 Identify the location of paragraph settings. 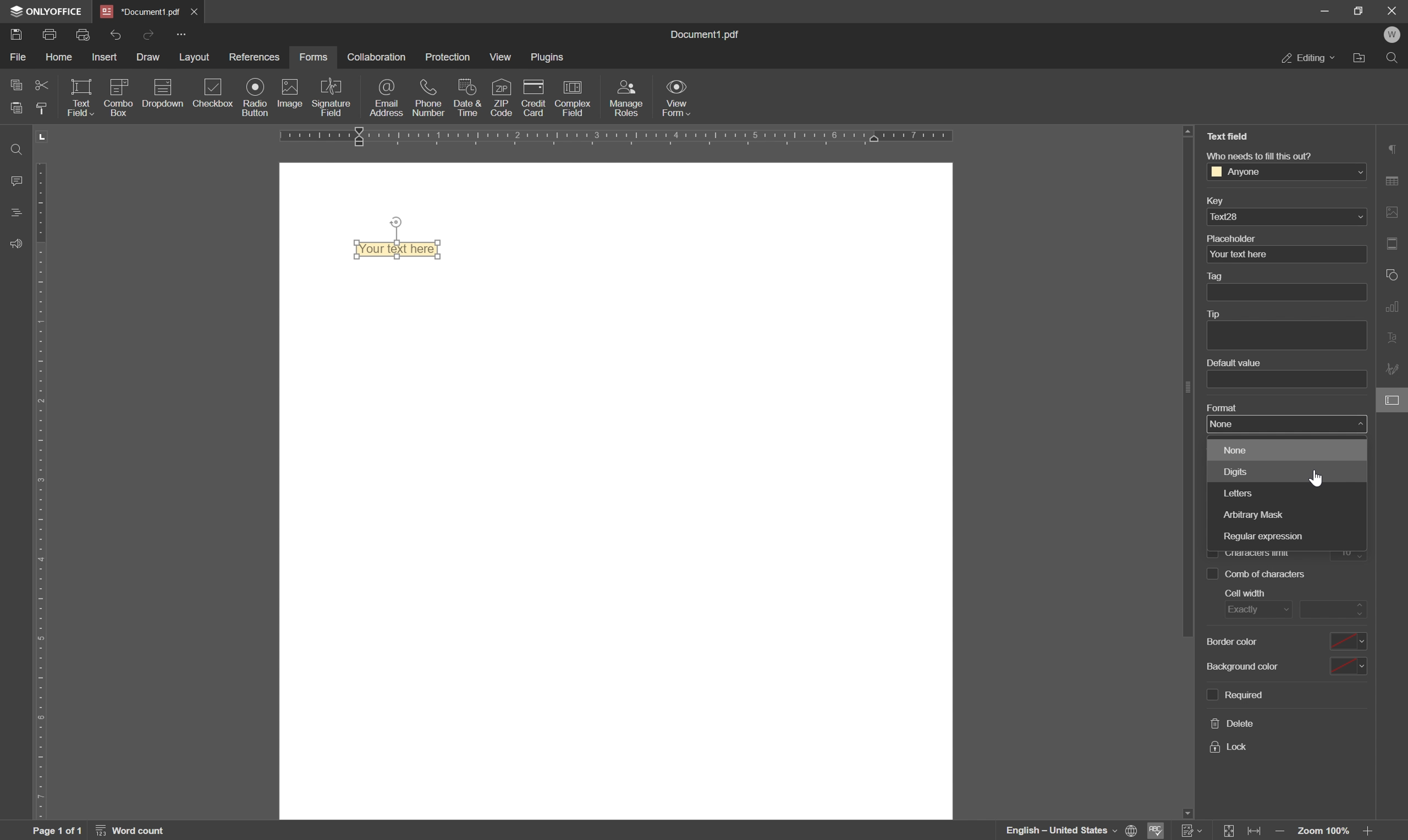
(1396, 148).